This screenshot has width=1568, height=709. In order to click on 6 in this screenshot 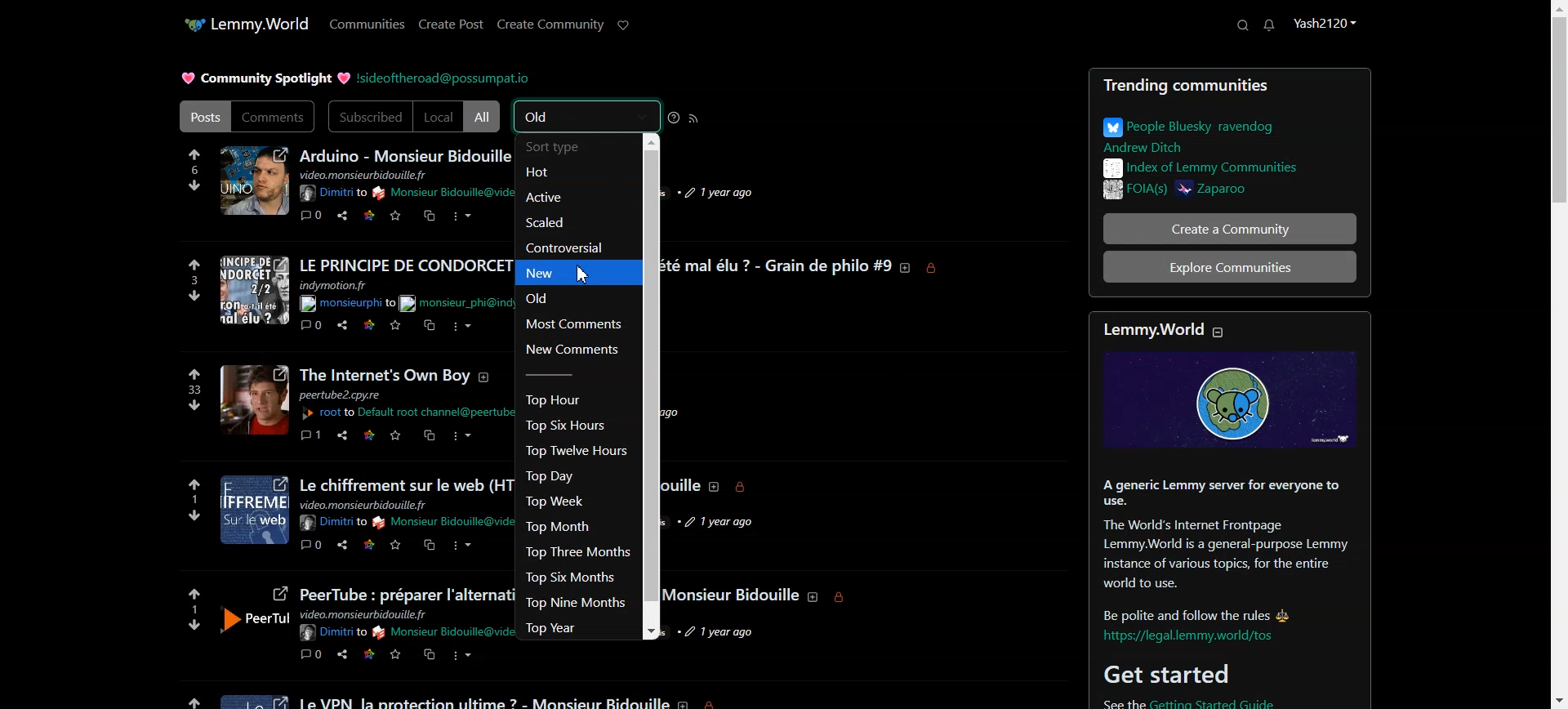, I will do `click(193, 170)`.